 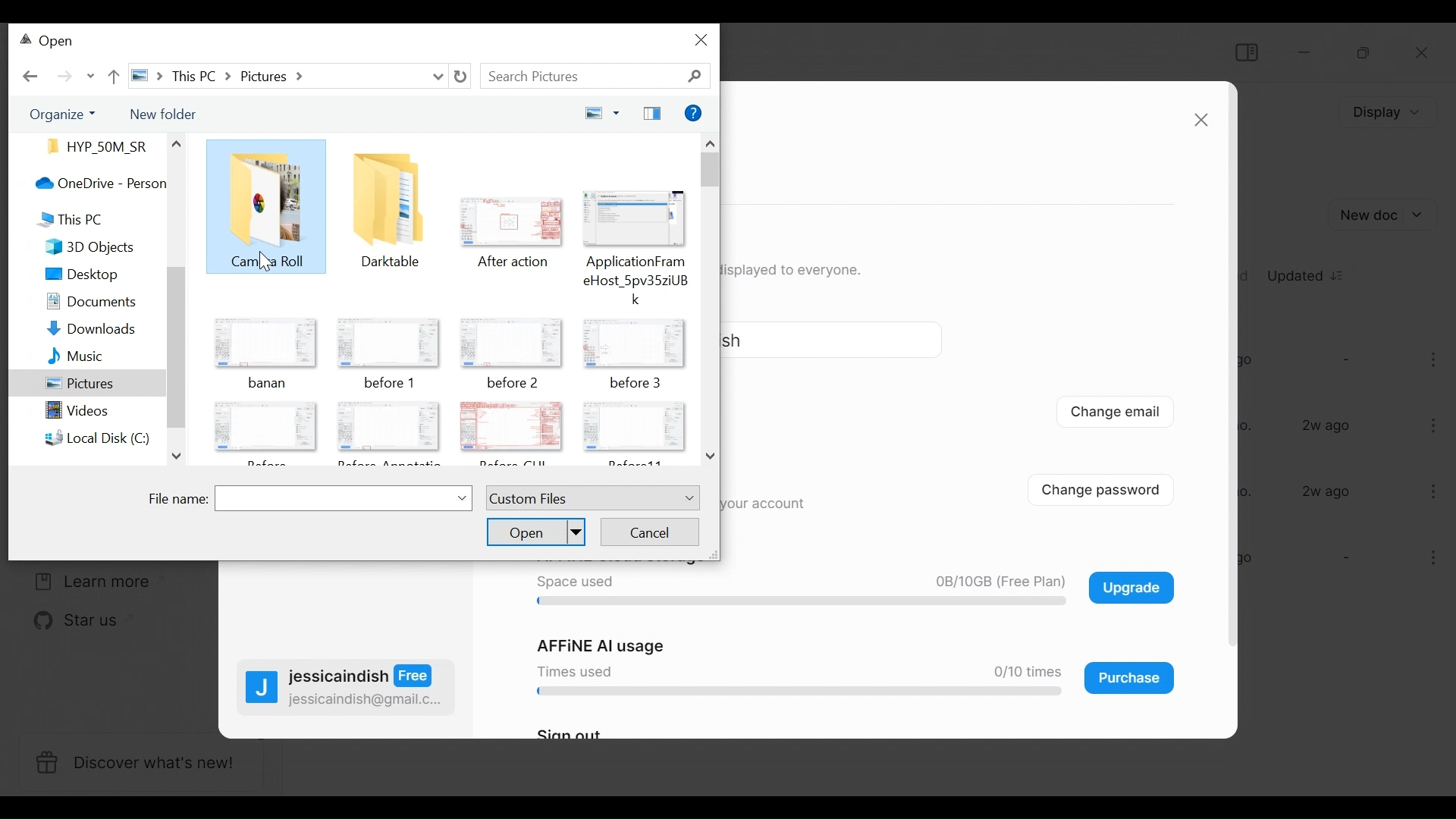 I want to click on scroll, so click(x=177, y=345).